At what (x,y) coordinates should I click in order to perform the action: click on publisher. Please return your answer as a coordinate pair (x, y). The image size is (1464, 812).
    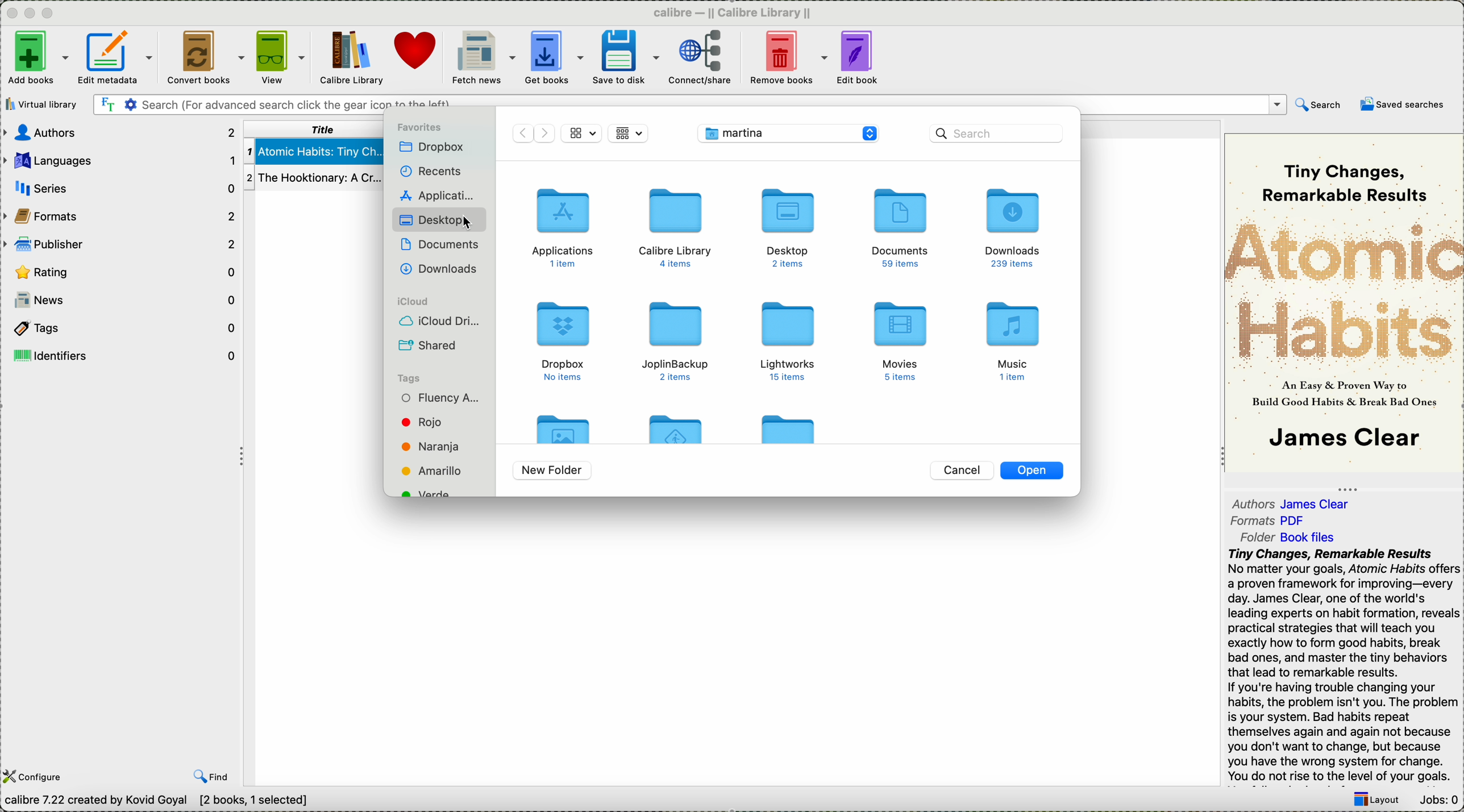
    Looking at the image, I should click on (120, 245).